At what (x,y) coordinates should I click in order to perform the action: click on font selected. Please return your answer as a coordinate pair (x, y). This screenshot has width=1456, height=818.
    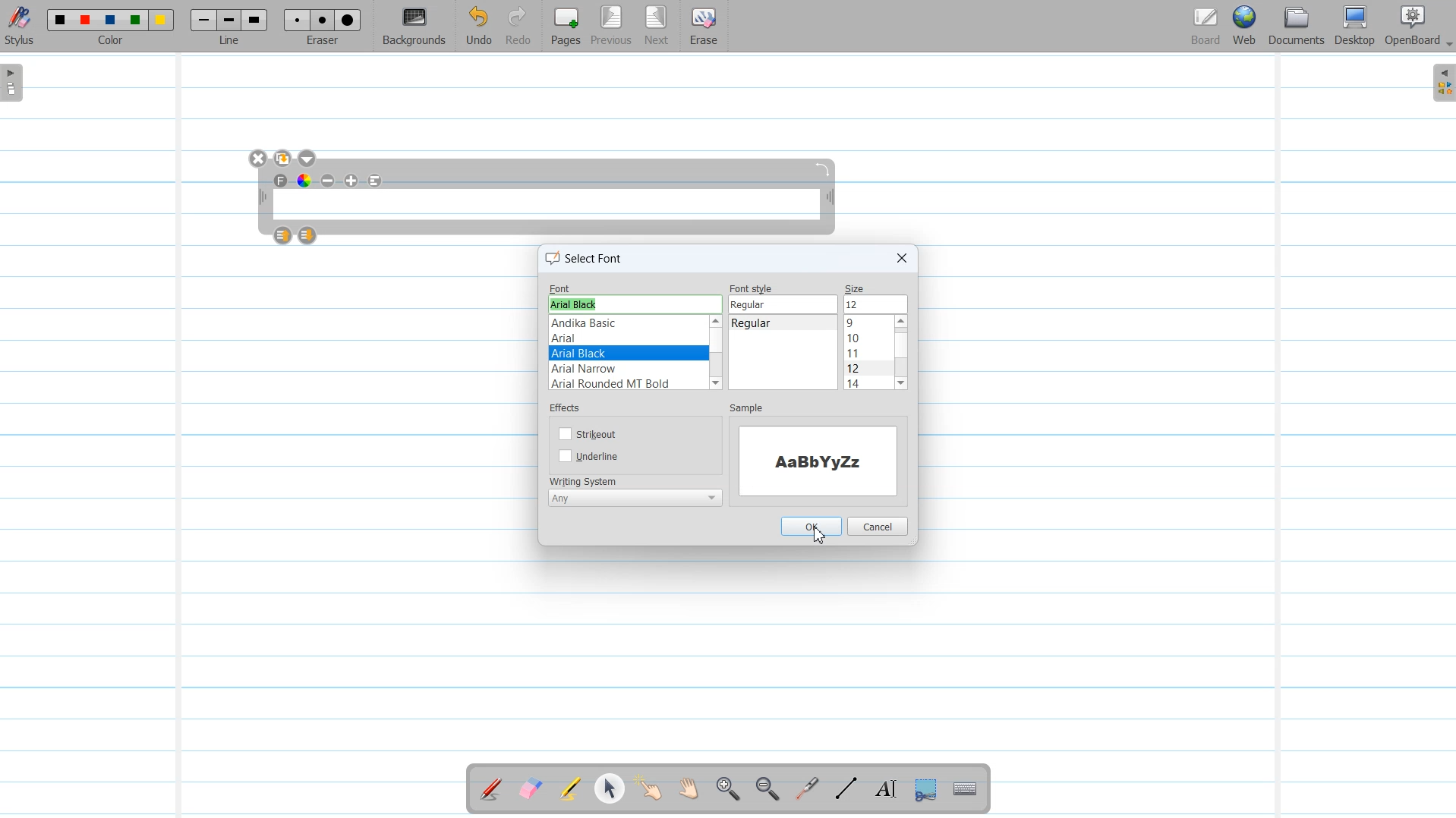
    Looking at the image, I should click on (577, 305).